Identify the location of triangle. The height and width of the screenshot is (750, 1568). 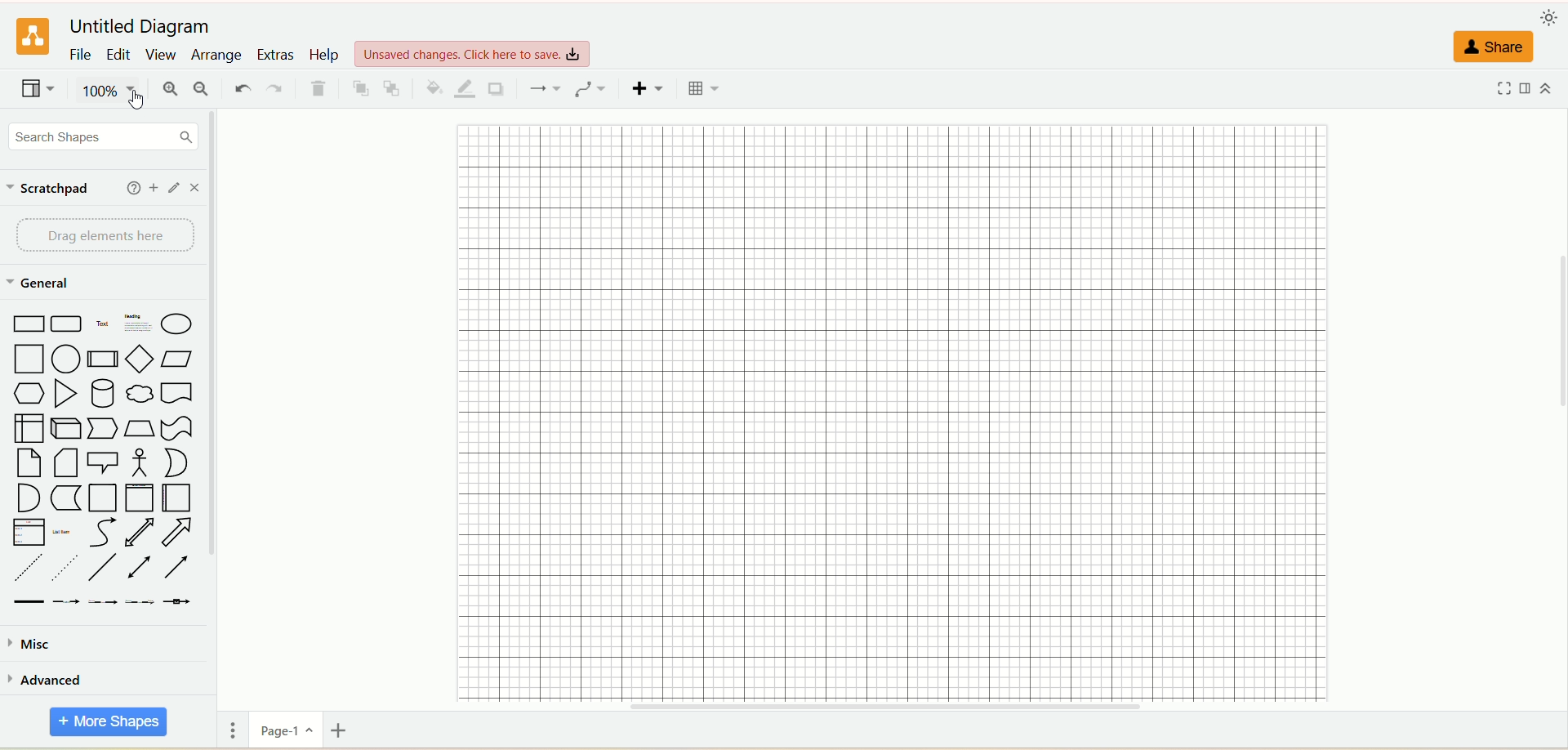
(65, 391).